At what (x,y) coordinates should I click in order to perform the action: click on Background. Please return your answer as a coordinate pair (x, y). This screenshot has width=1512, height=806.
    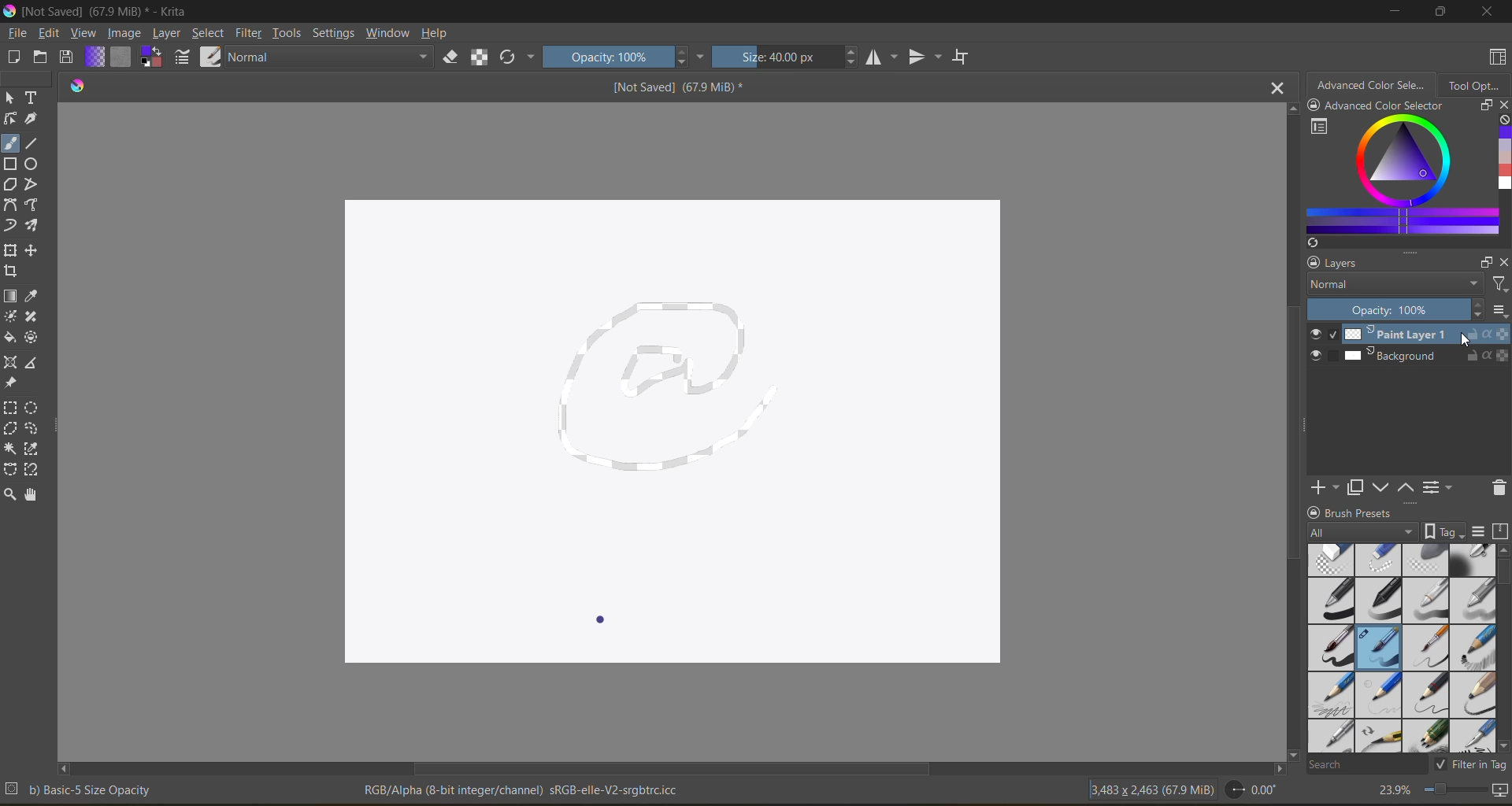
    Looking at the image, I should click on (1427, 354).